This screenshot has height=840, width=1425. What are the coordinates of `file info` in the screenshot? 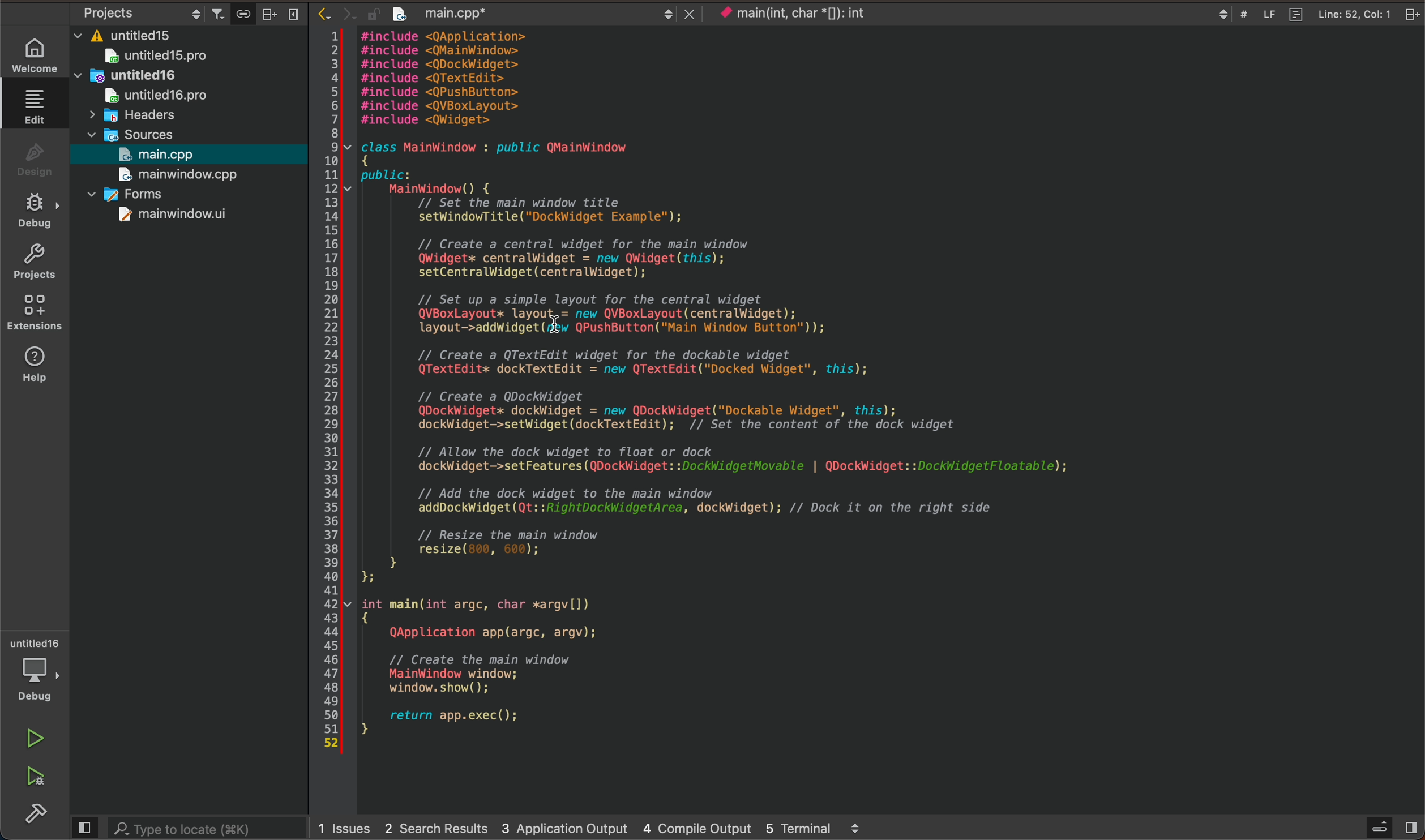 It's located at (1313, 14).